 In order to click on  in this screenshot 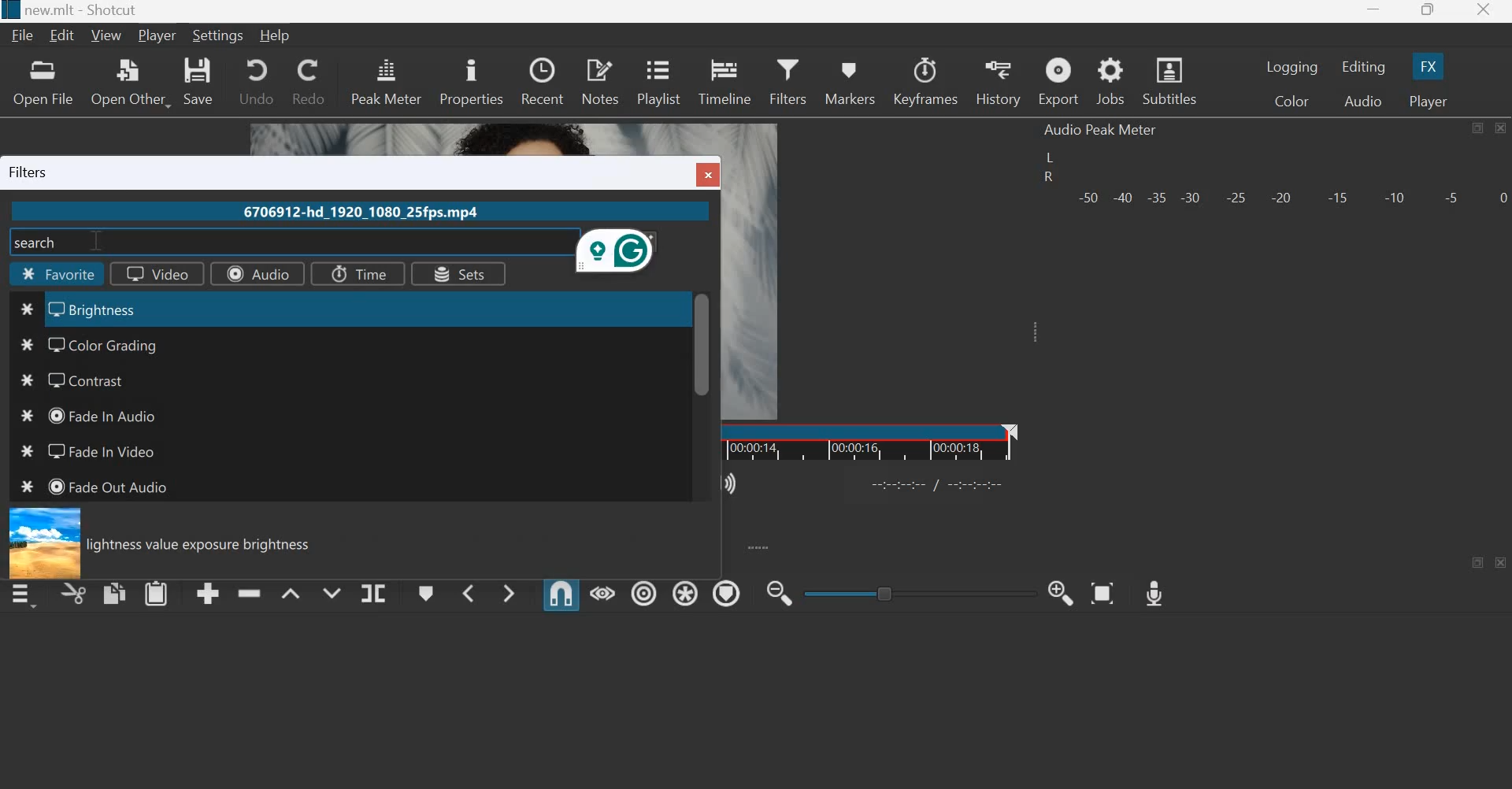, I will do `click(28, 310)`.